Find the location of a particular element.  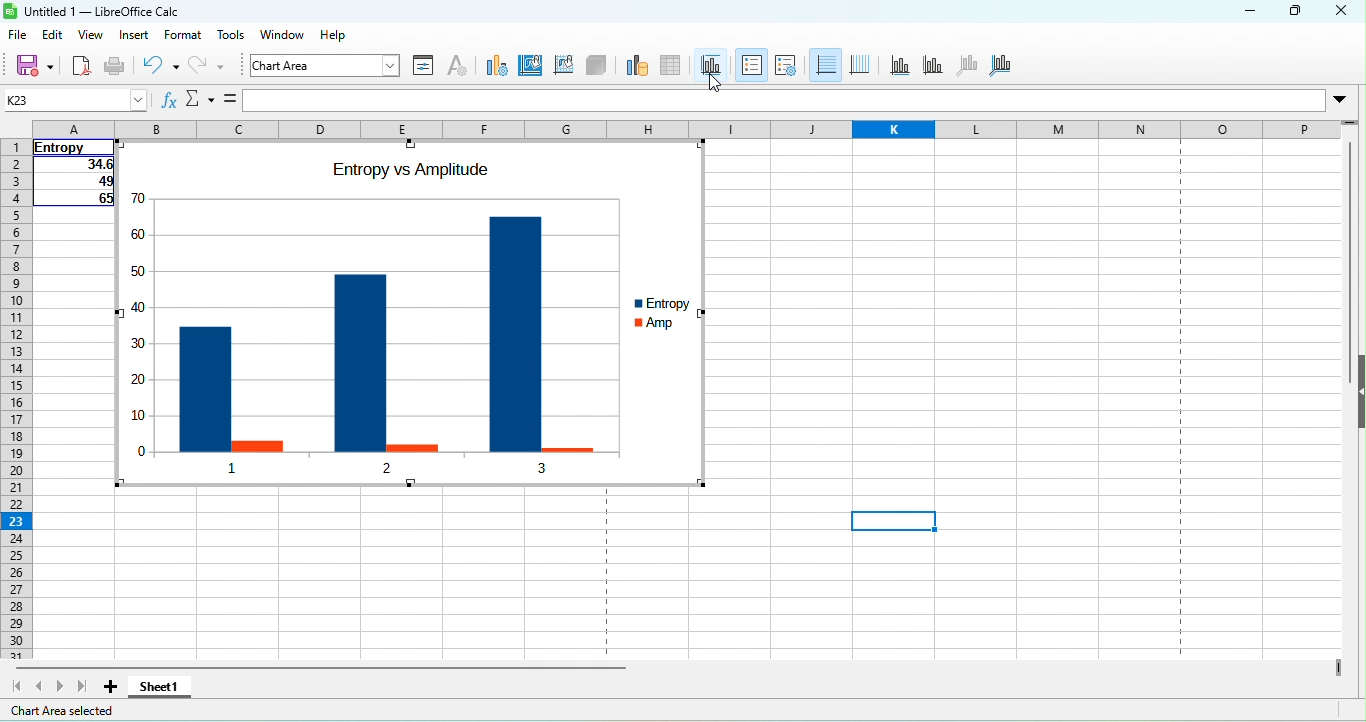

chart area is located at coordinates (327, 68).